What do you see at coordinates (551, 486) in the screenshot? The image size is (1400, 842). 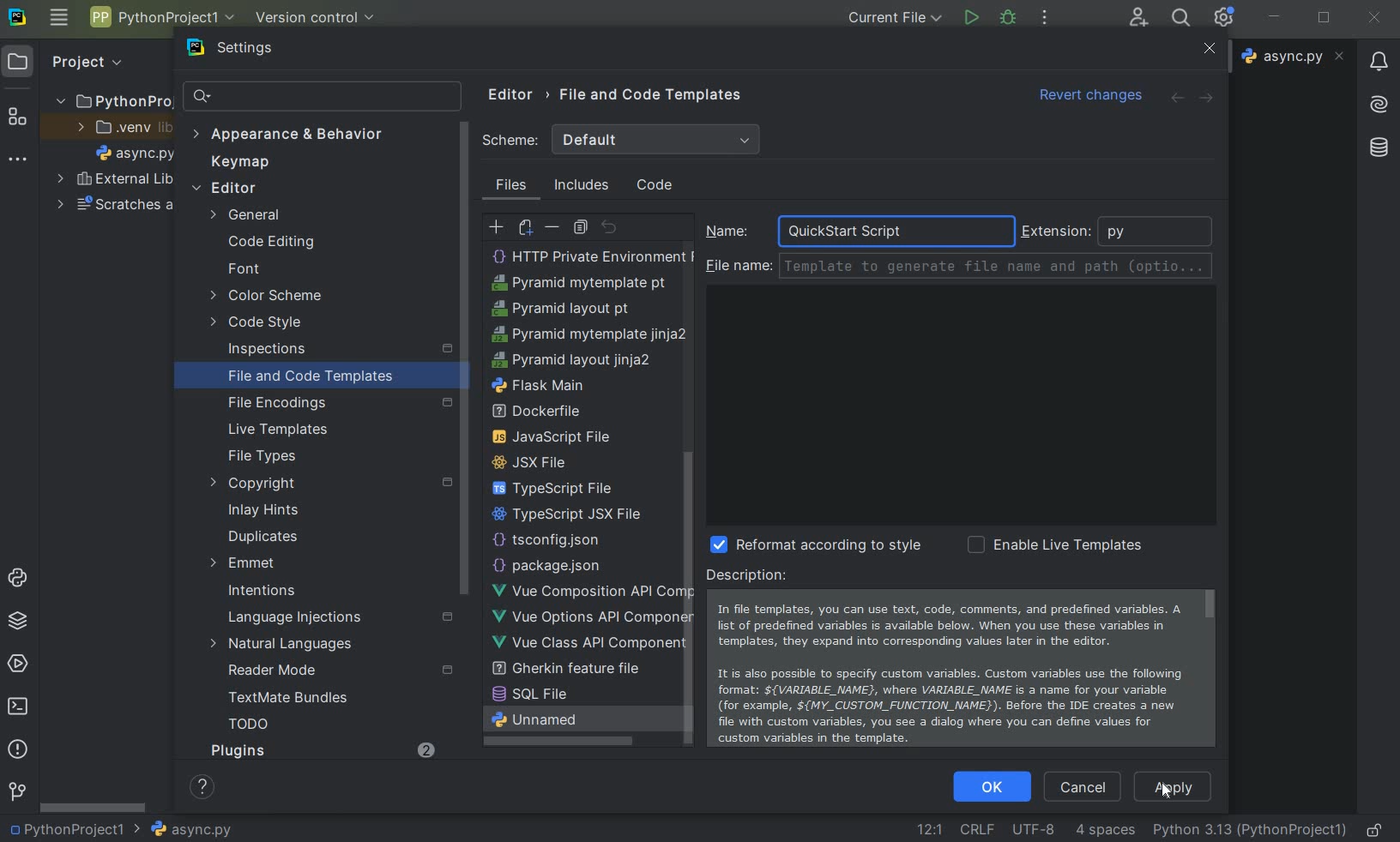 I see `scss file` at bounding box center [551, 486].